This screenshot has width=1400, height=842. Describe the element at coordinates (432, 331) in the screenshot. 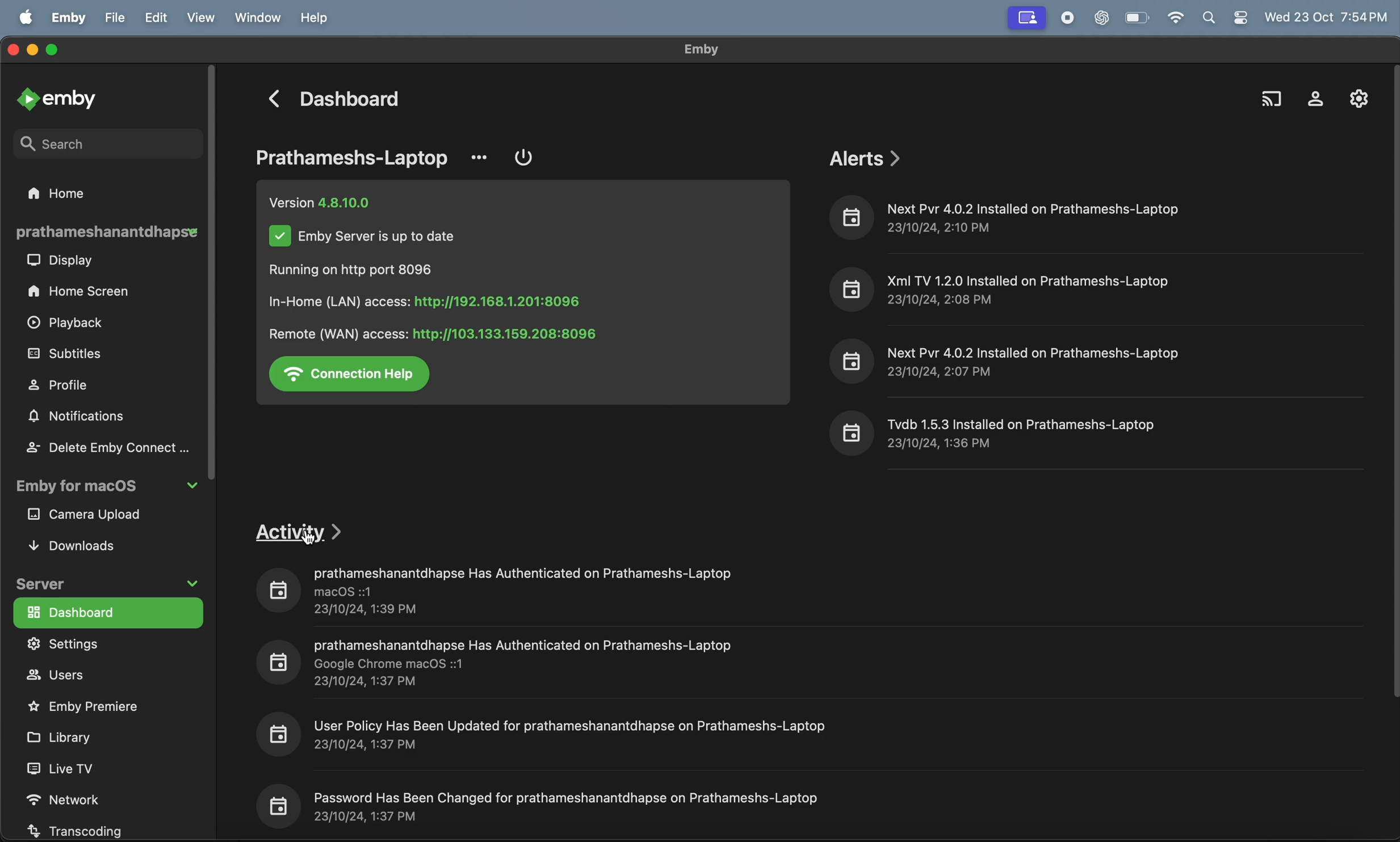

I see `Remote (WAN) access: http://103.133.159.208:8096` at that location.